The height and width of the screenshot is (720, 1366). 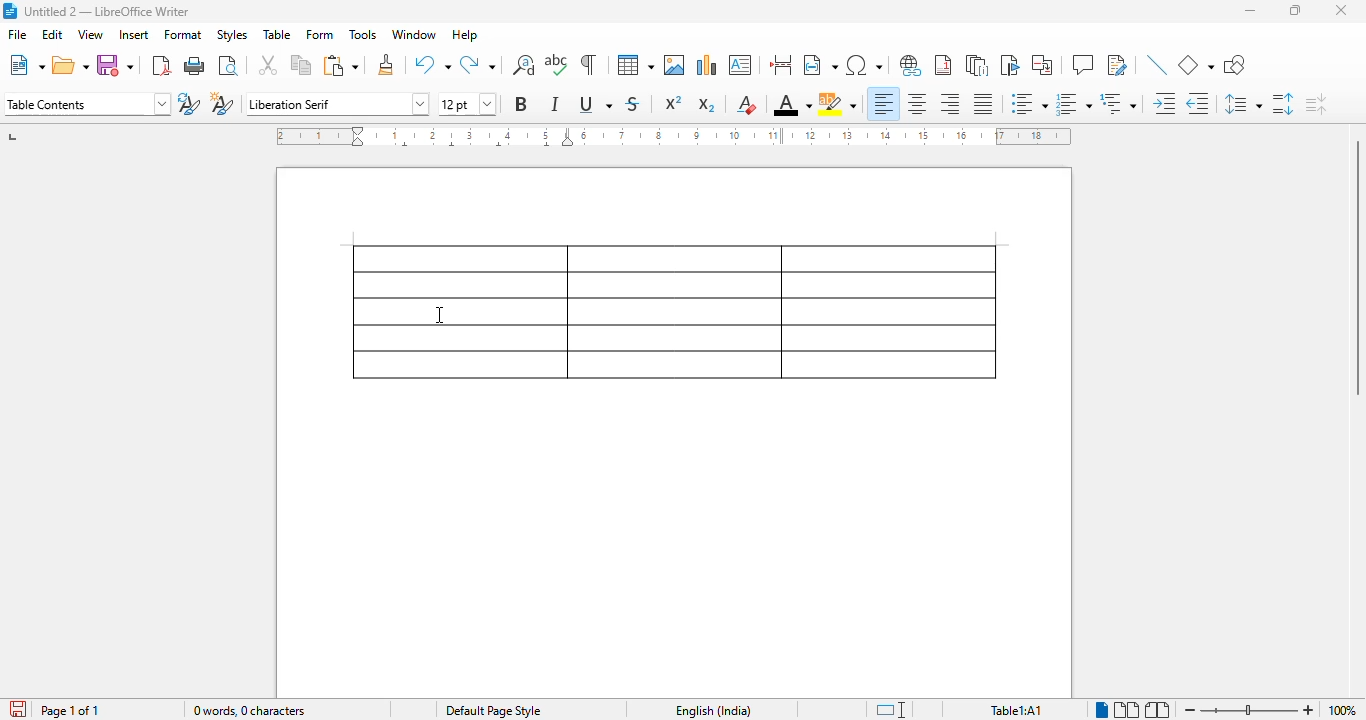 What do you see at coordinates (363, 35) in the screenshot?
I see `tools` at bounding box center [363, 35].